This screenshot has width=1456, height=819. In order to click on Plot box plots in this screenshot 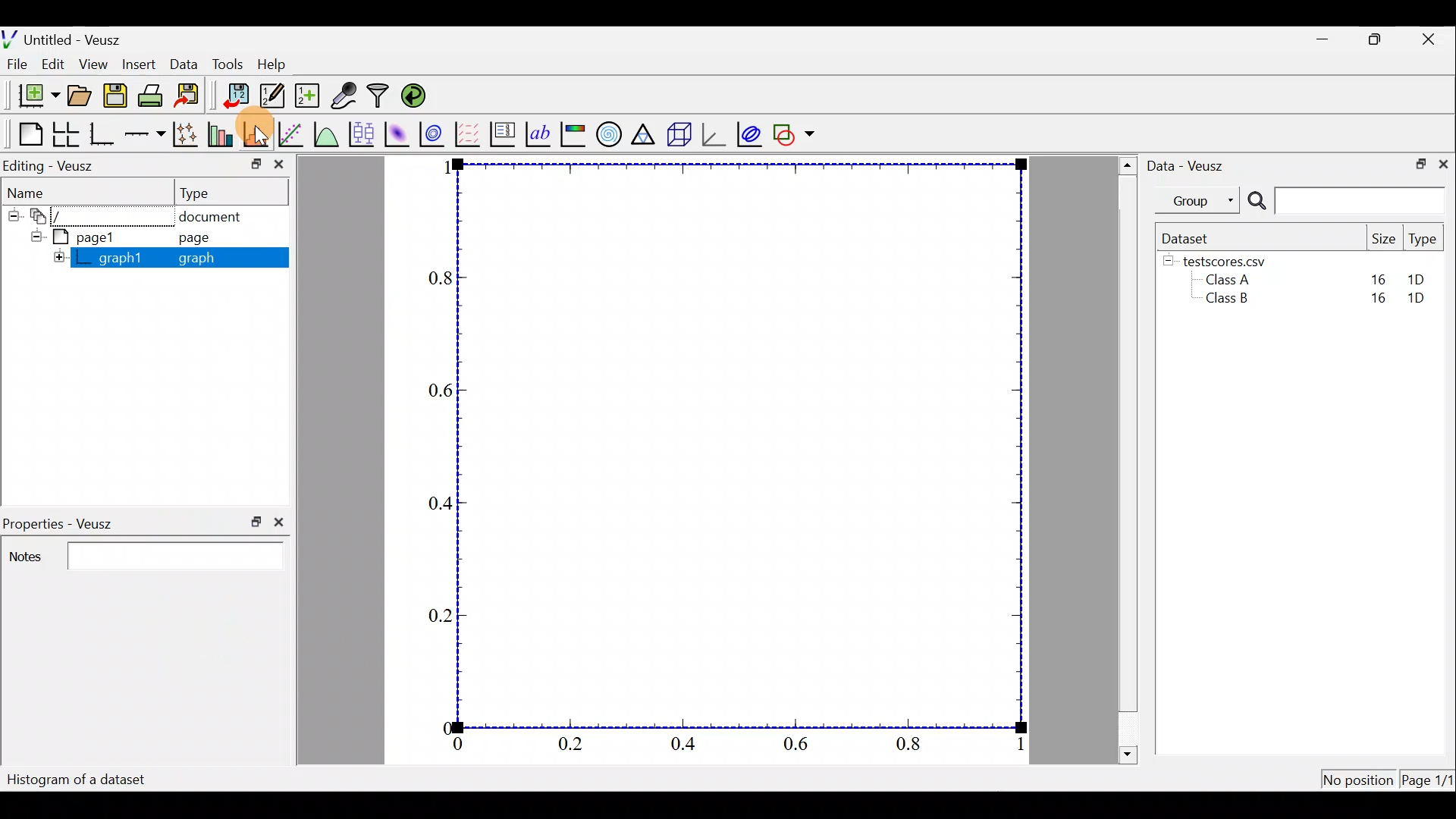, I will do `click(360, 133)`.